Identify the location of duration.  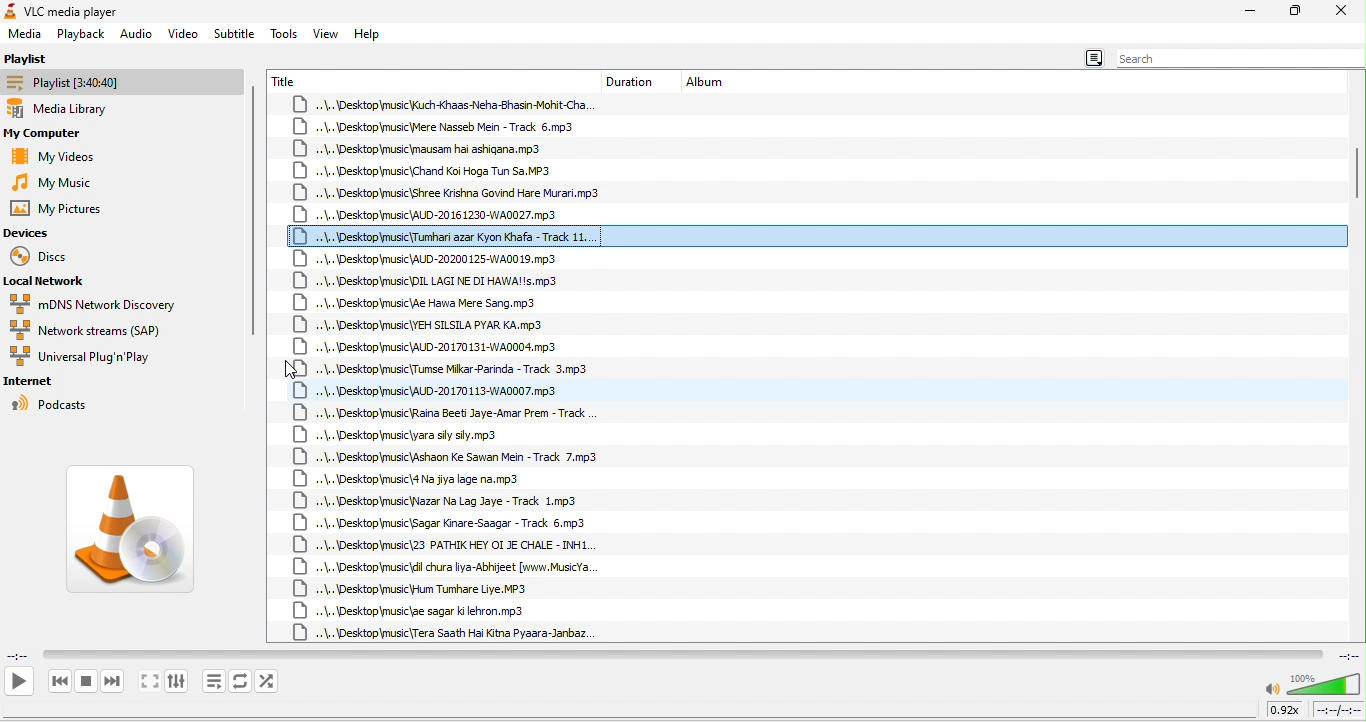
(635, 80).